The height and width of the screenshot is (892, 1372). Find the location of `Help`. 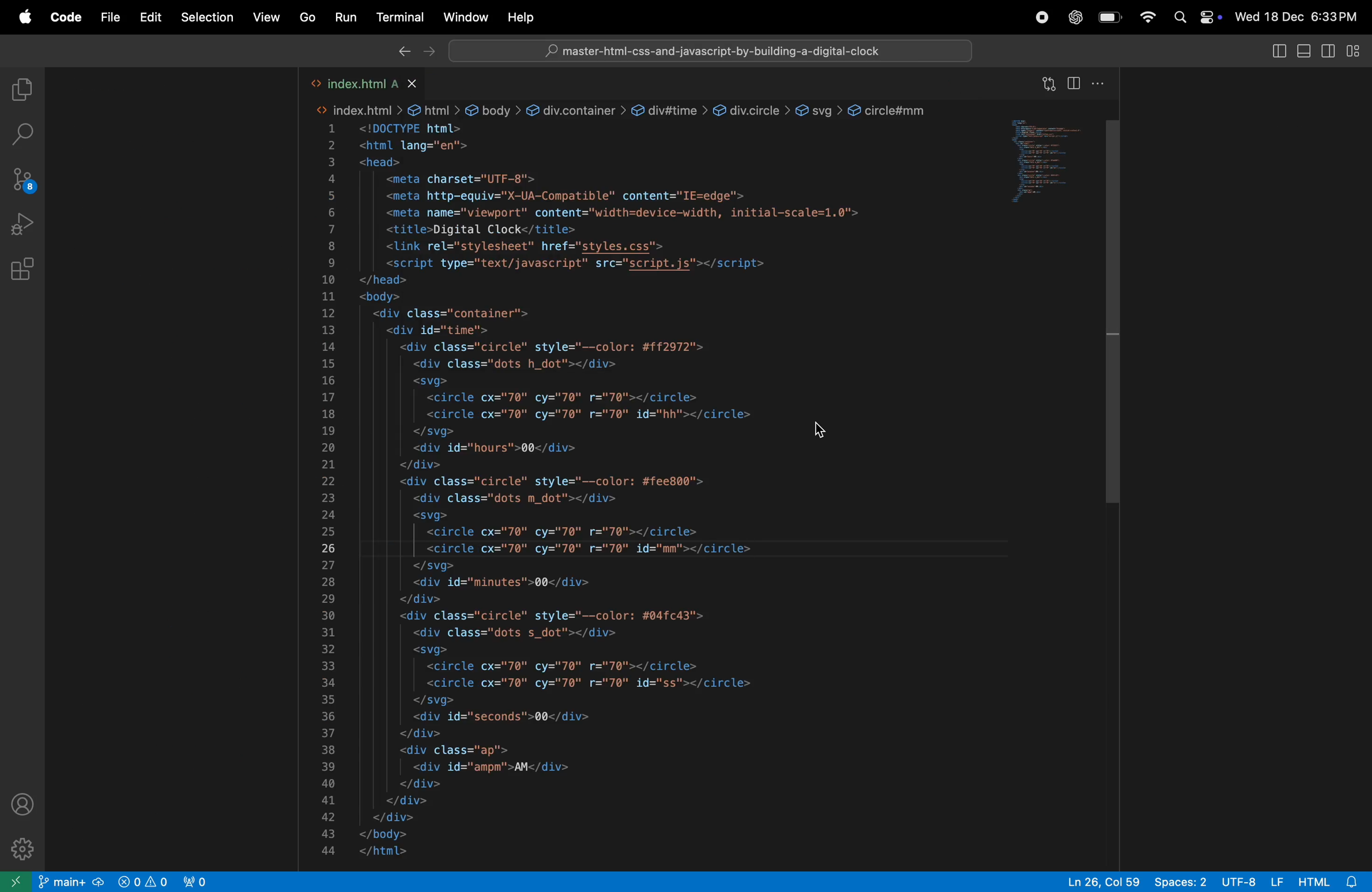

Help is located at coordinates (518, 18).